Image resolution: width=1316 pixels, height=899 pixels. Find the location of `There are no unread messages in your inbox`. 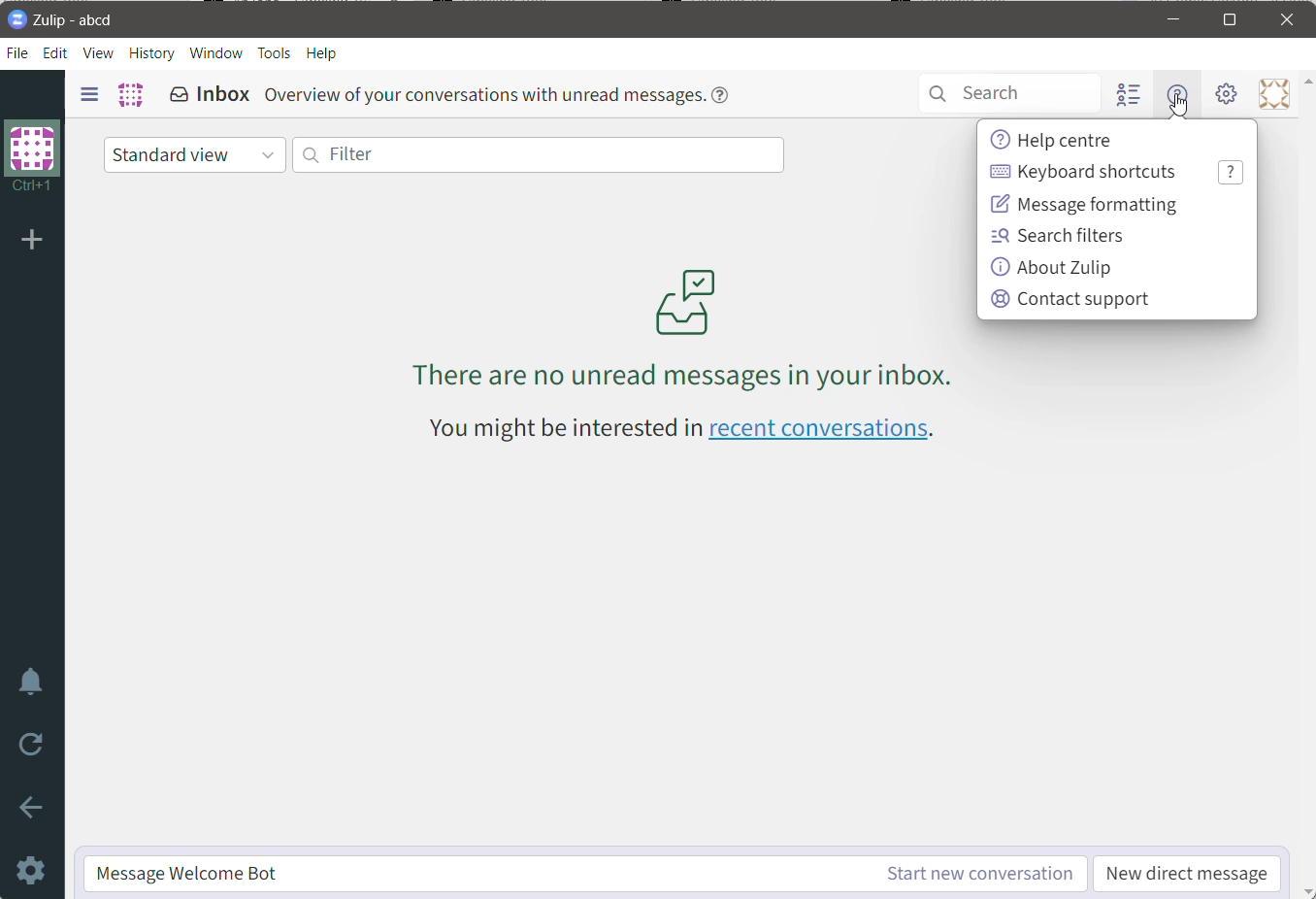

There are no unread messages in your inbox is located at coordinates (685, 316).